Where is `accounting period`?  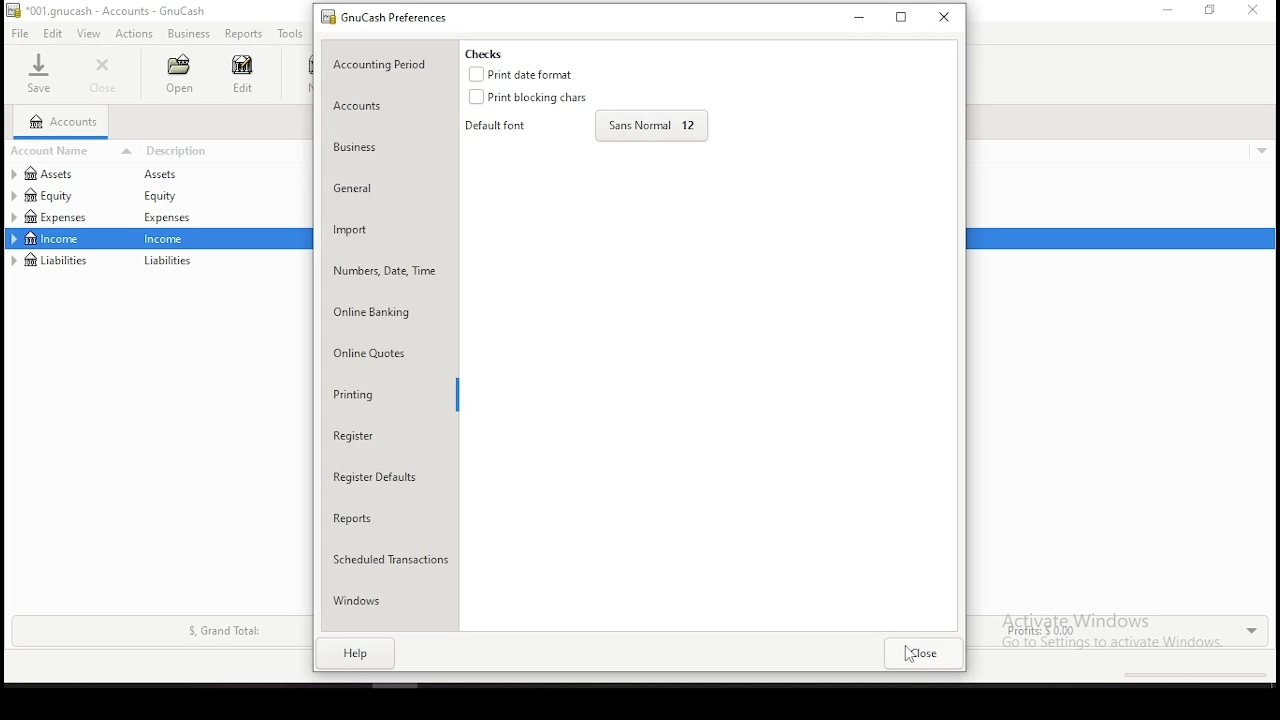
accounting period is located at coordinates (385, 63).